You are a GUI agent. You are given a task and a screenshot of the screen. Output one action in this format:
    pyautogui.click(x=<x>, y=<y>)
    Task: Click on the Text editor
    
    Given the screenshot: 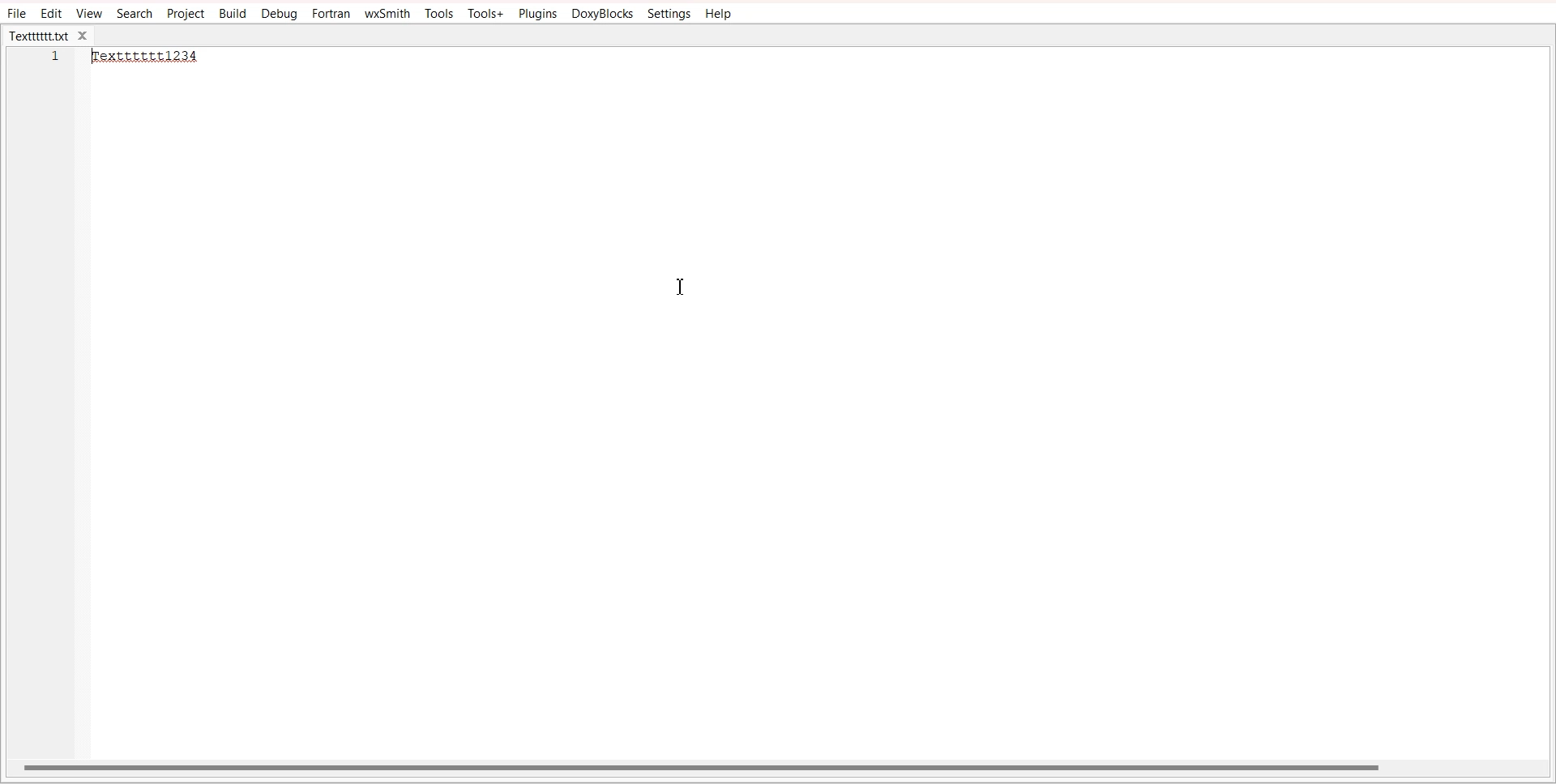 What is the action you would take?
    pyautogui.click(x=187, y=74)
    